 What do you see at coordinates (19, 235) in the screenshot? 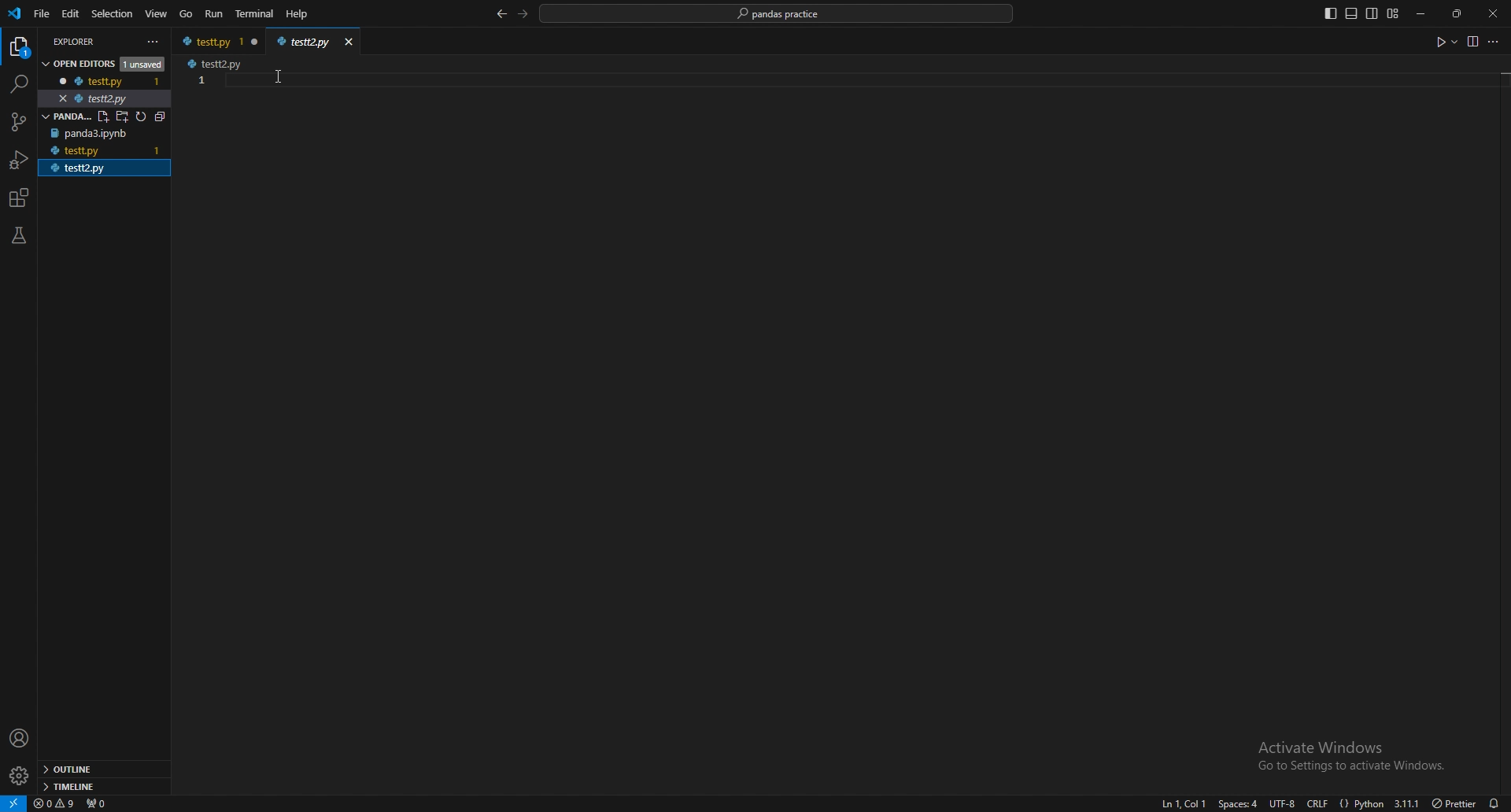
I see `testing` at bounding box center [19, 235].